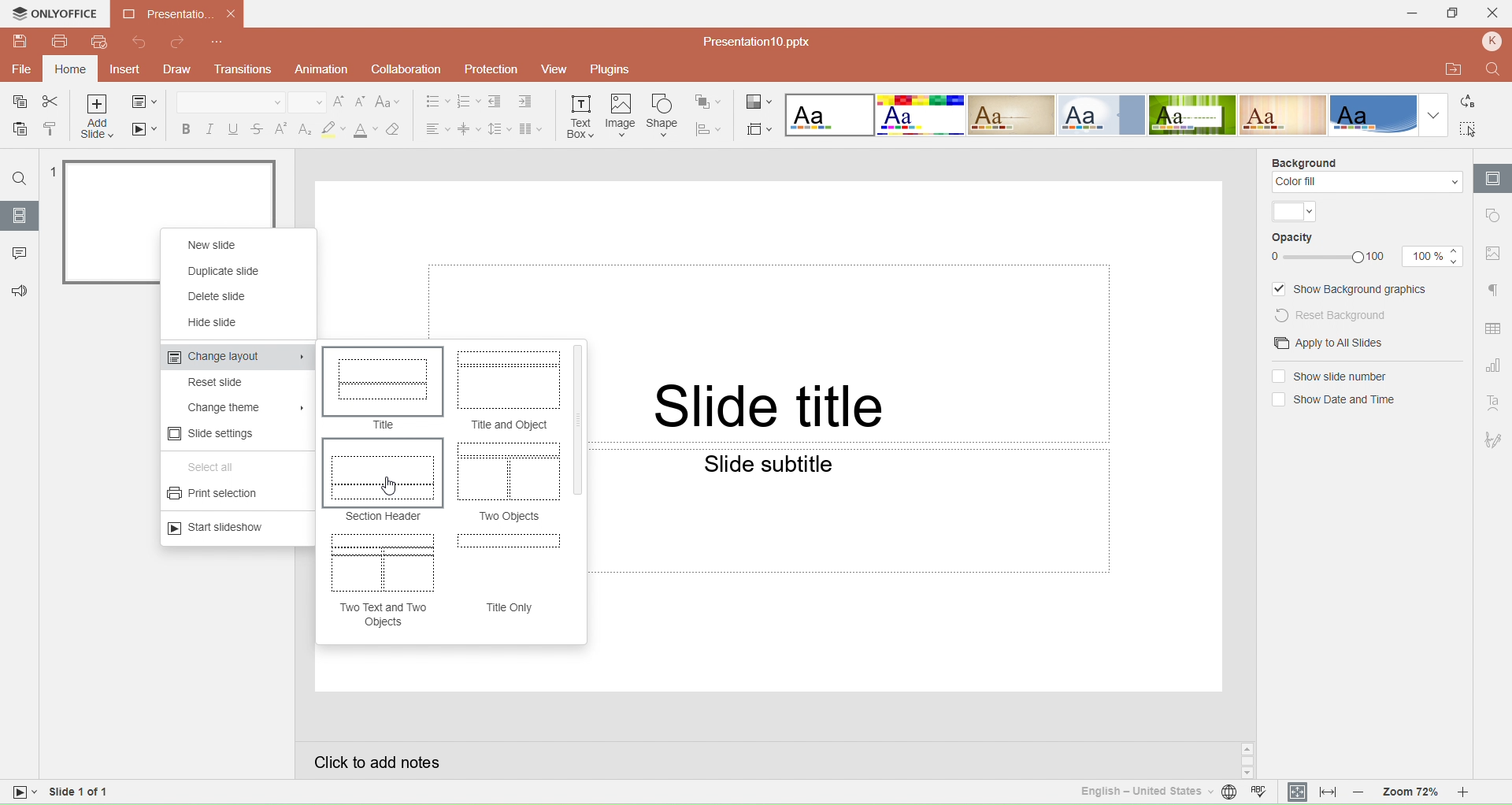 The image size is (1512, 805). What do you see at coordinates (828, 115) in the screenshot?
I see `Blank` at bounding box center [828, 115].